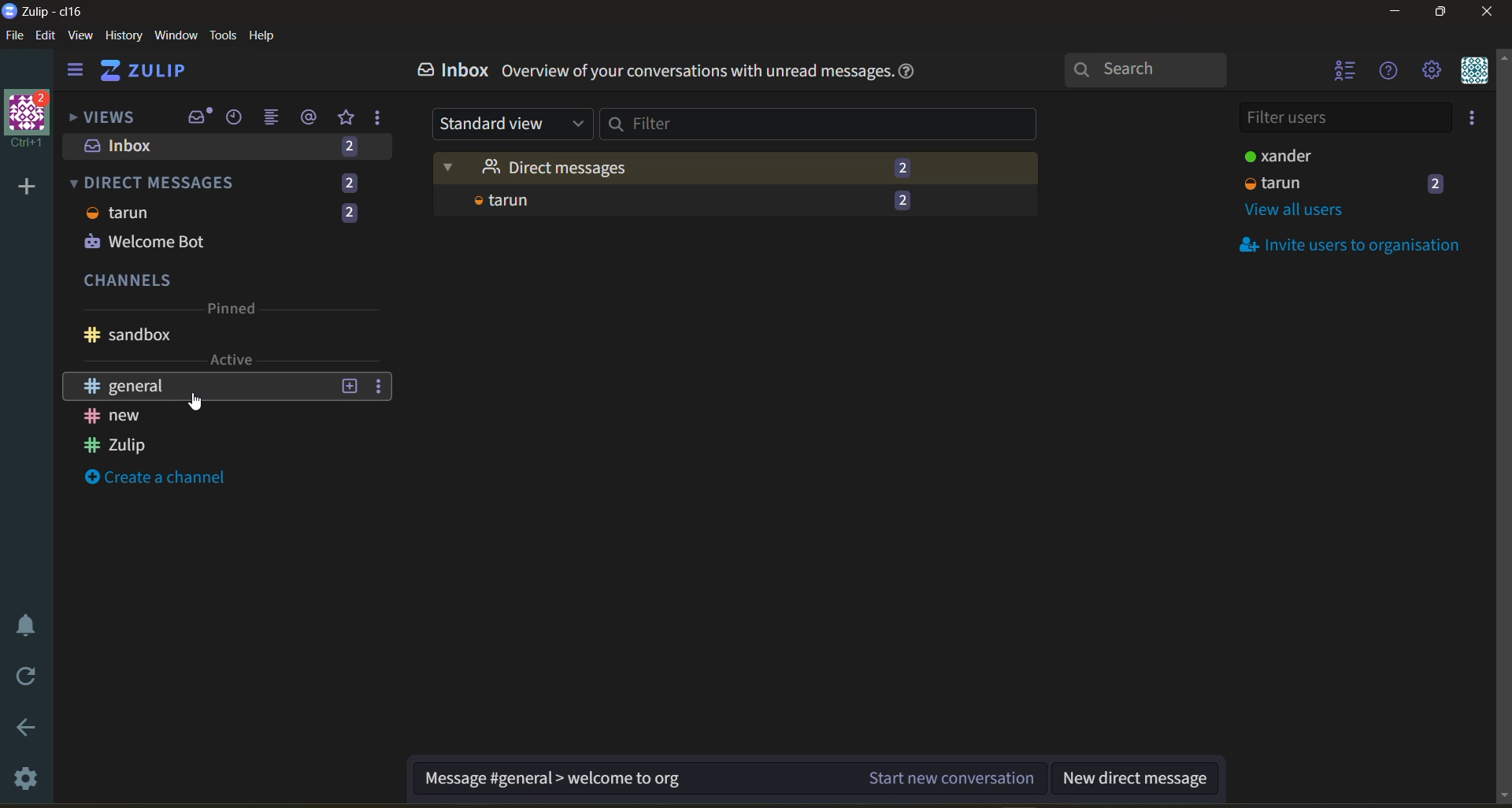 This screenshot has width=1512, height=808. What do you see at coordinates (506, 124) in the screenshot?
I see `standard view` at bounding box center [506, 124].